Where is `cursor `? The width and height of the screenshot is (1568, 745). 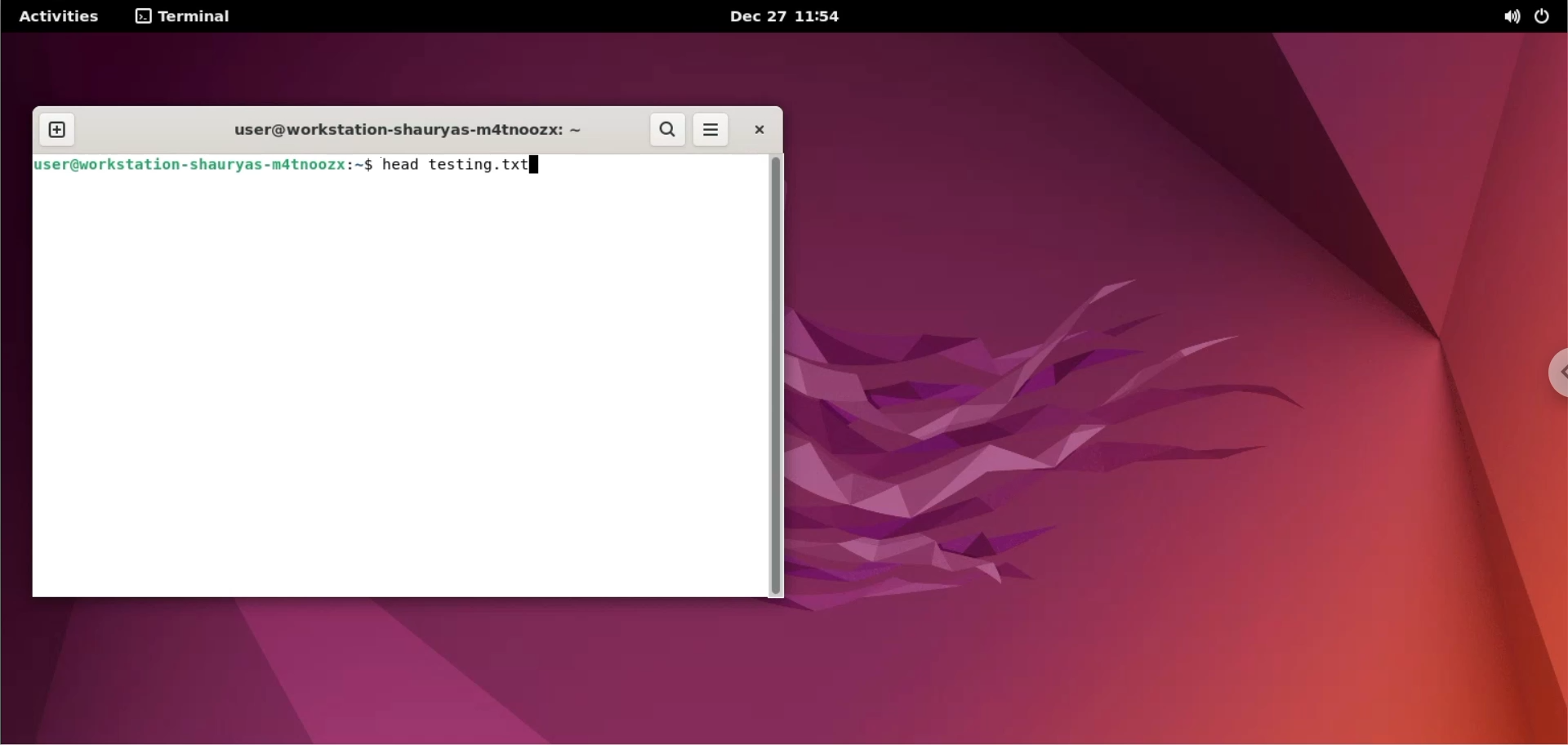
cursor  is located at coordinates (537, 165).